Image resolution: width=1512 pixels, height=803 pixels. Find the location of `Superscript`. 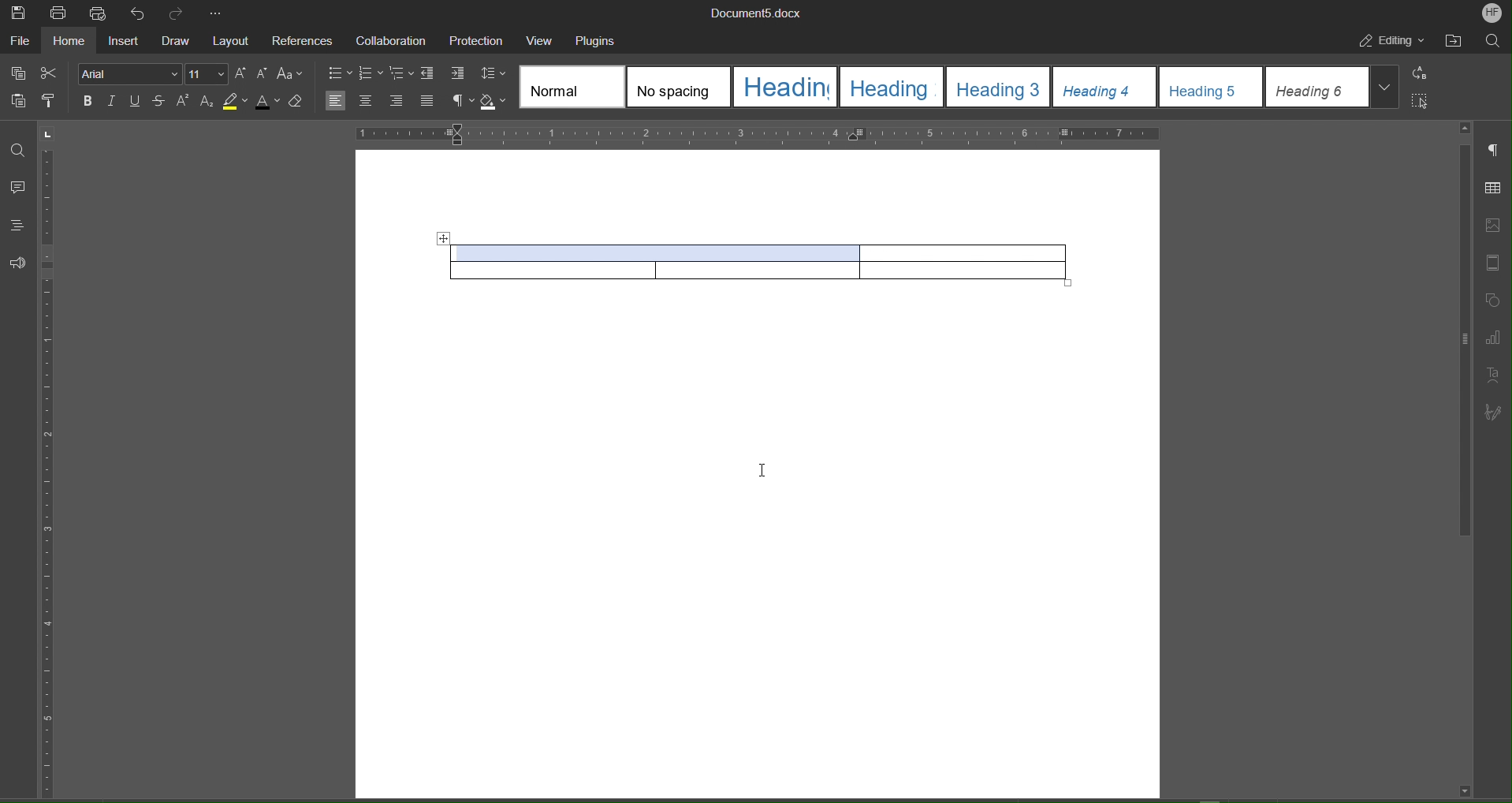

Superscript is located at coordinates (184, 102).